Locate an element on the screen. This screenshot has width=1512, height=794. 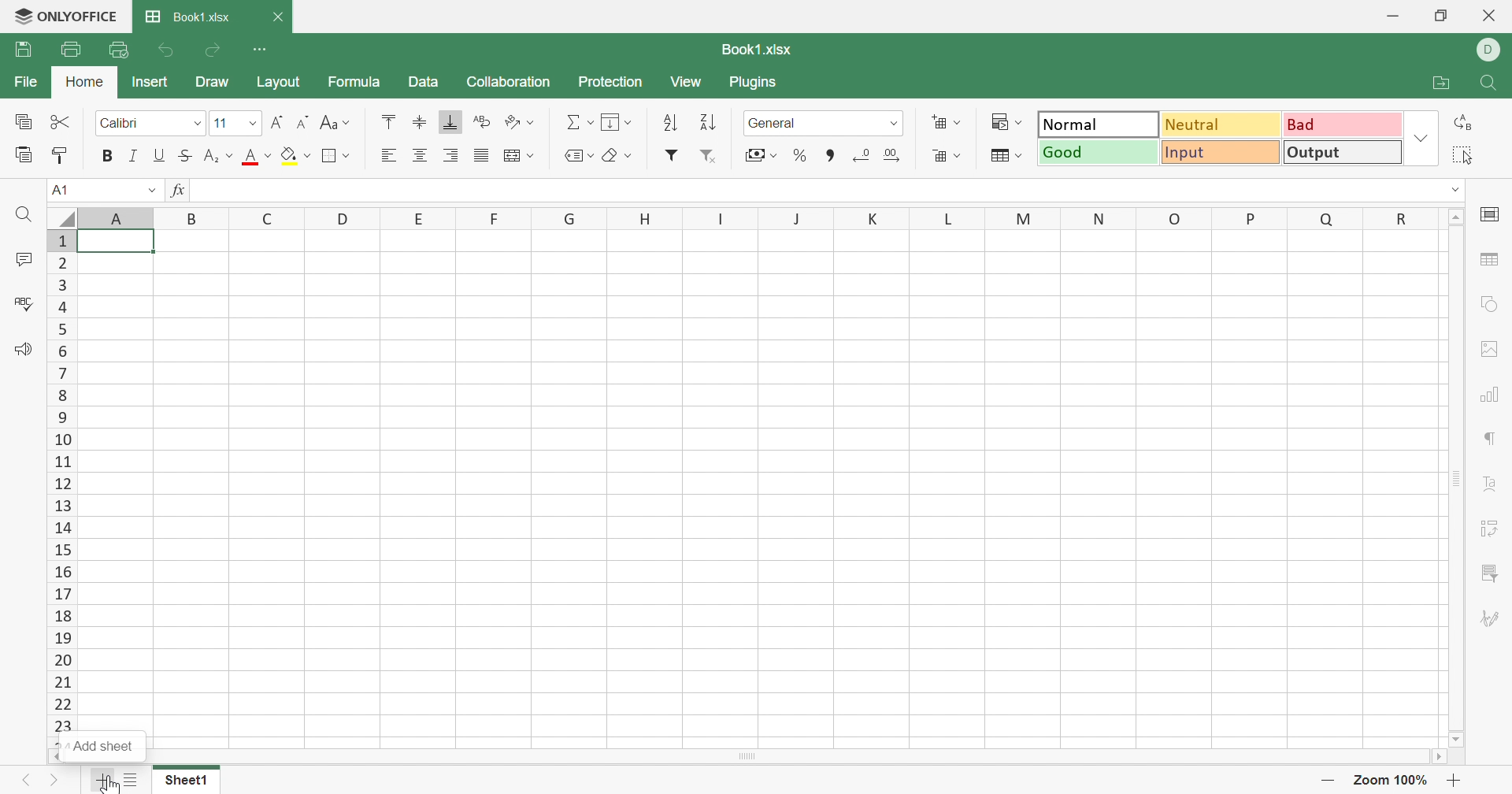
1 is located at coordinates (57, 239).